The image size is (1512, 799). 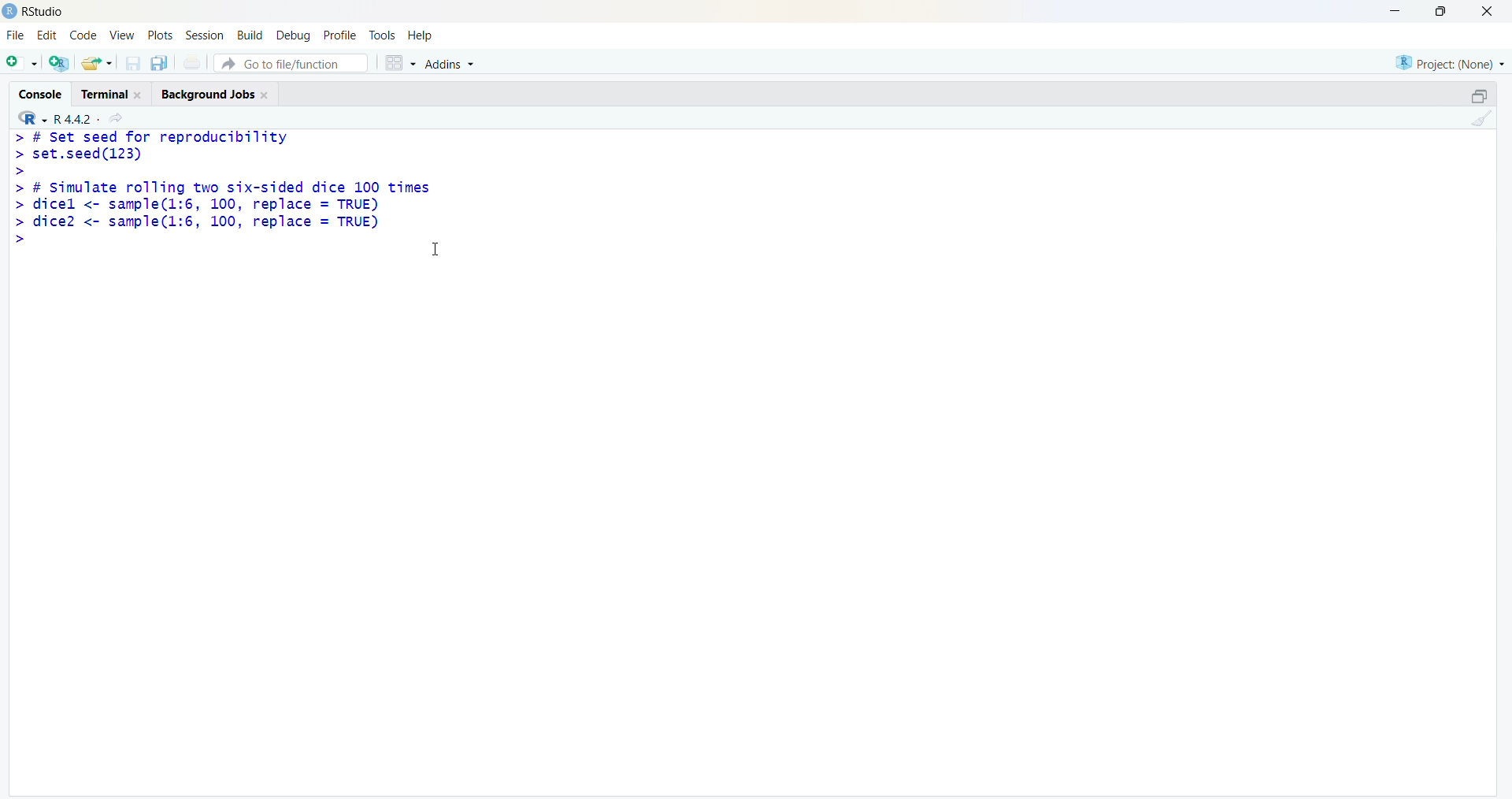 I want to click on > # Set seed for reproducibility> set.seed(123)>> # Simulate rolling two six-sided dice 100 times> dicel <- sample(l:6, 100, replace = TRUE)> dice2 <- sample(1l:6, 100, replace = TRUE)>, so click(x=224, y=188).